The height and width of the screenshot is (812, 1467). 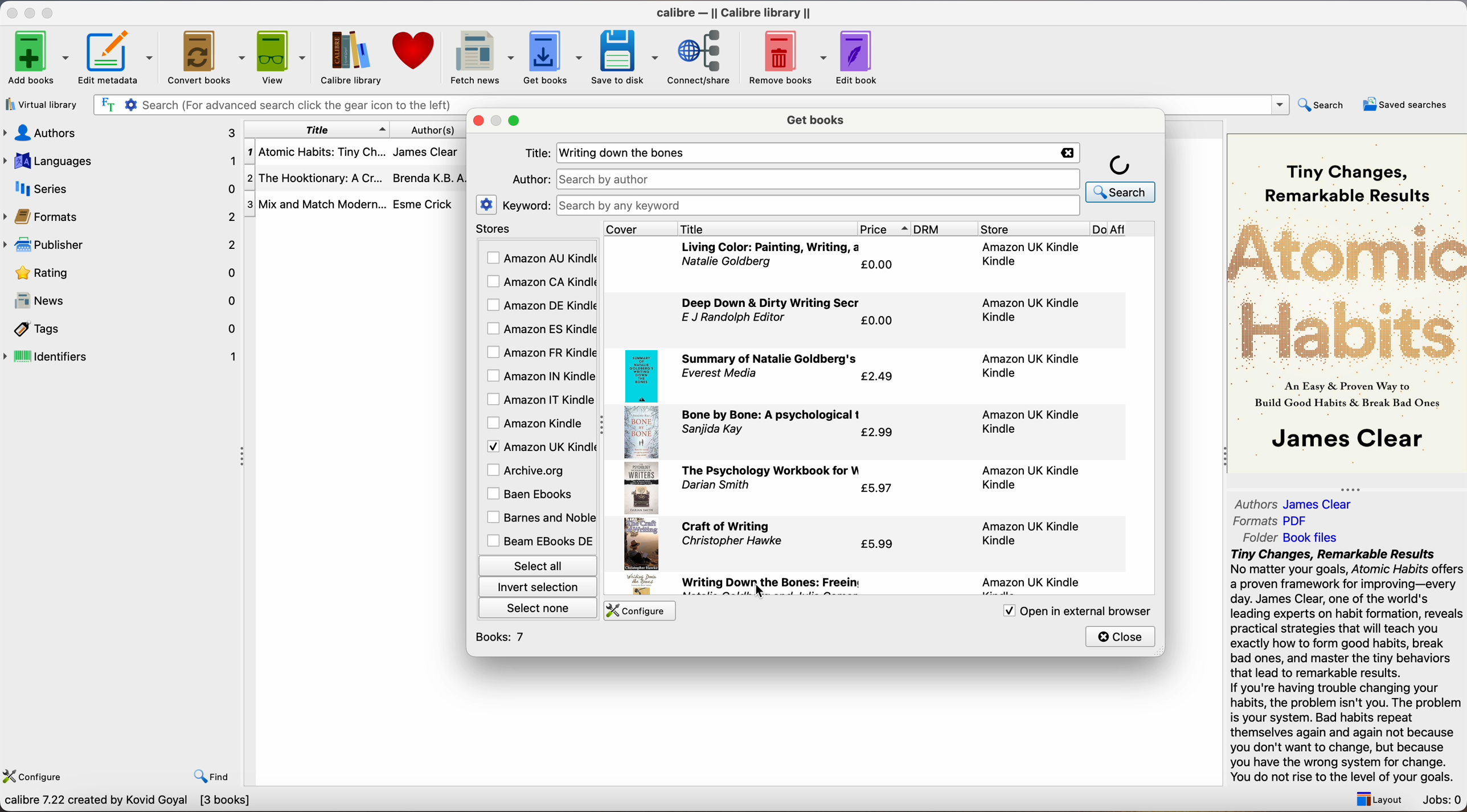 I want to click on Amazon IT Kindle, so click(x=541, y=400).